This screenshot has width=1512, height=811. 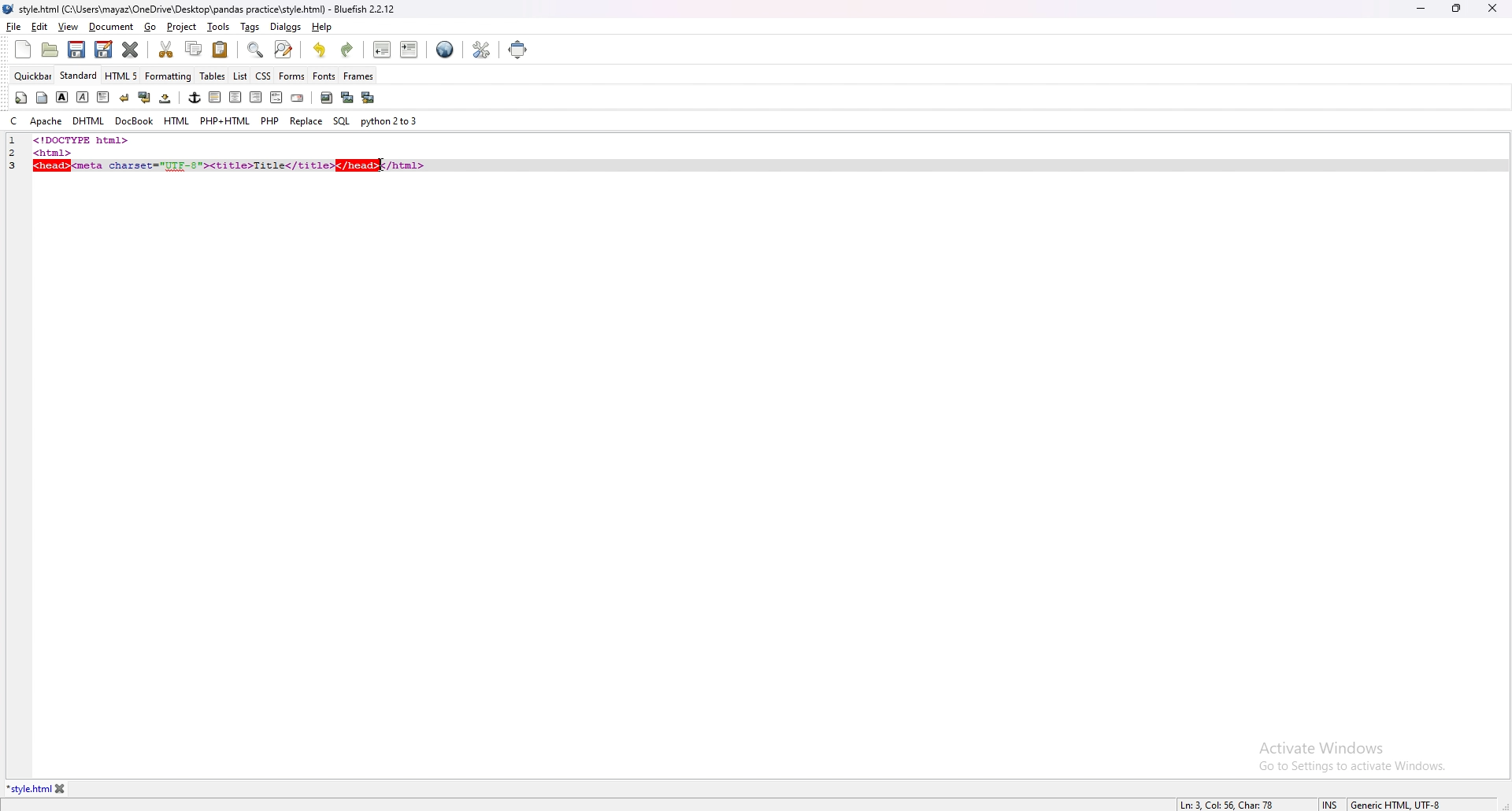 I want to click on dialogs, so click(x=286, y=27).